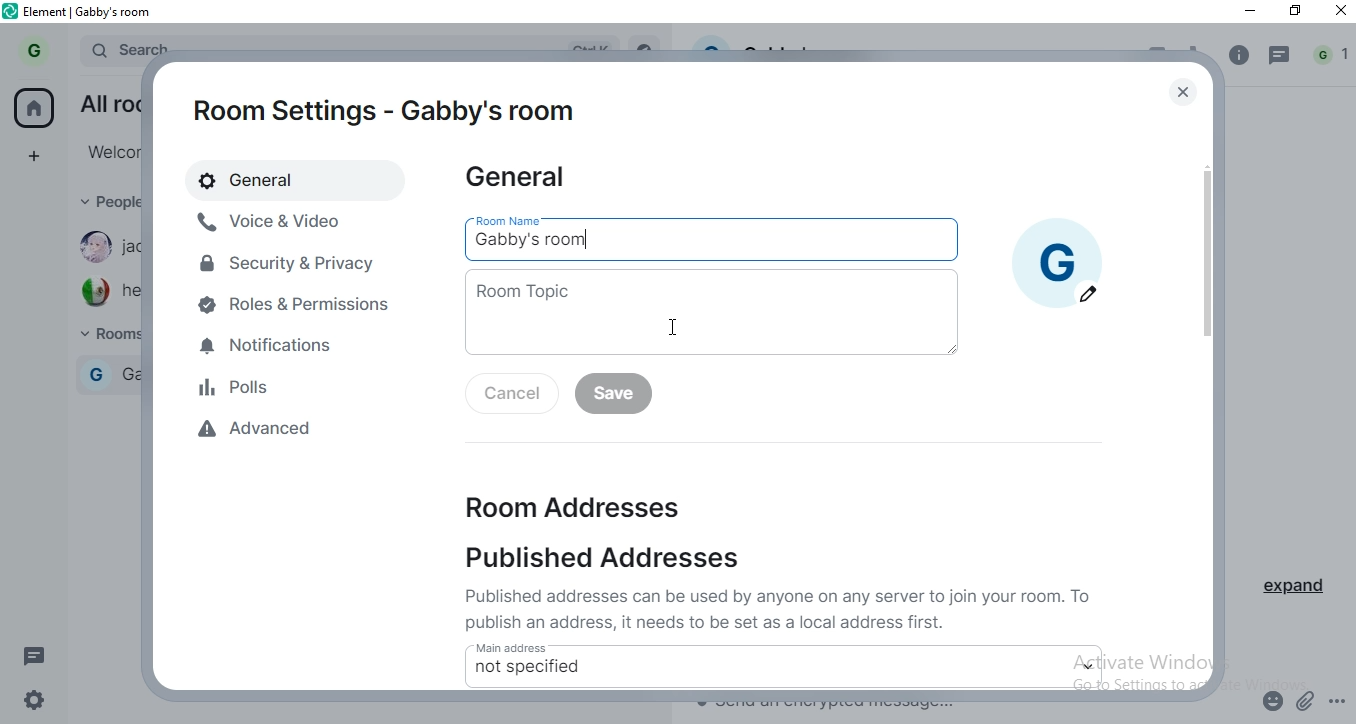 The height and width of the screenshot is (724, 1356). I want to click on profile picture, so click(1057, 248).